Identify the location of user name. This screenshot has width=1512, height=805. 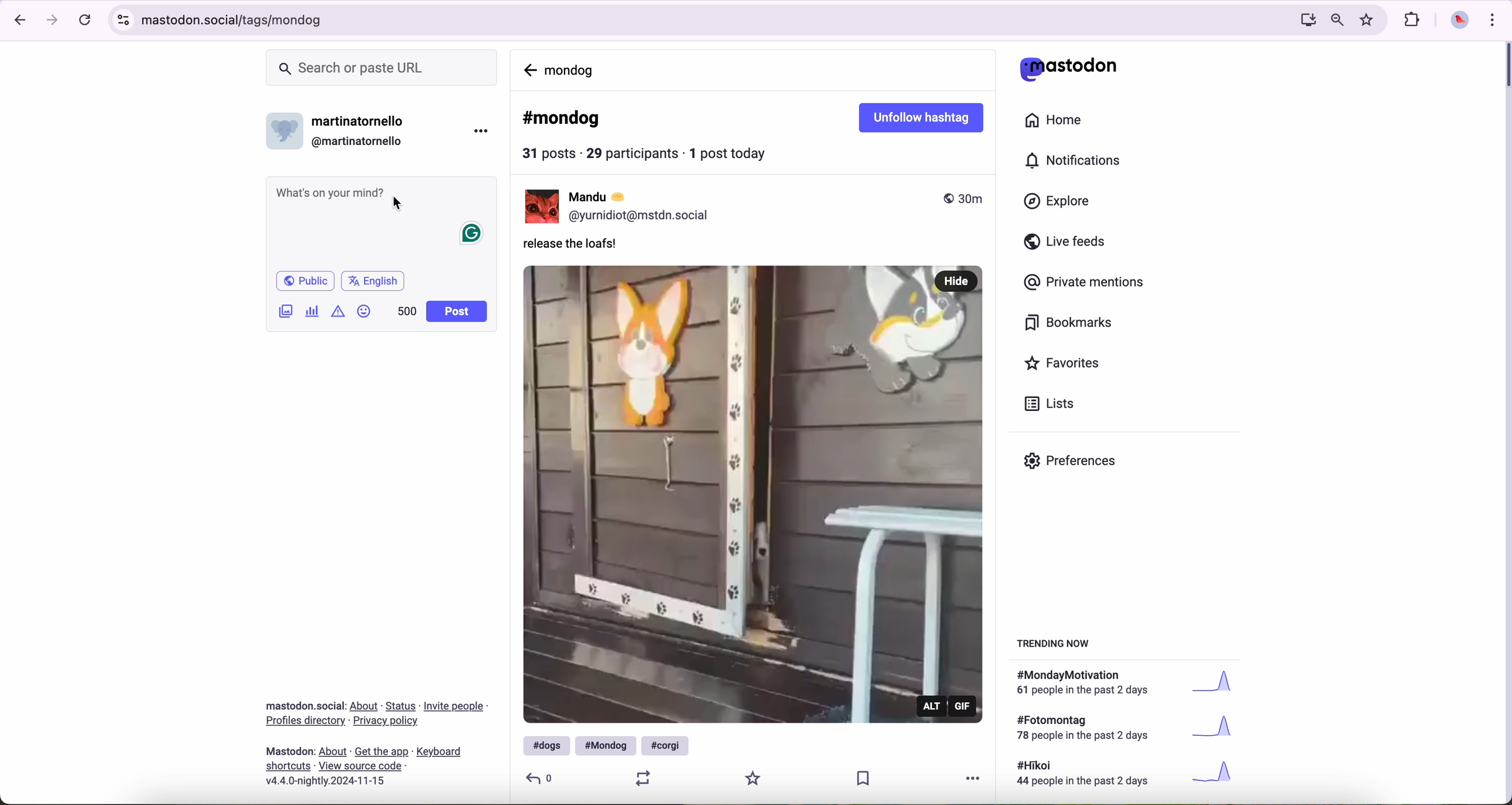
(607, 197).